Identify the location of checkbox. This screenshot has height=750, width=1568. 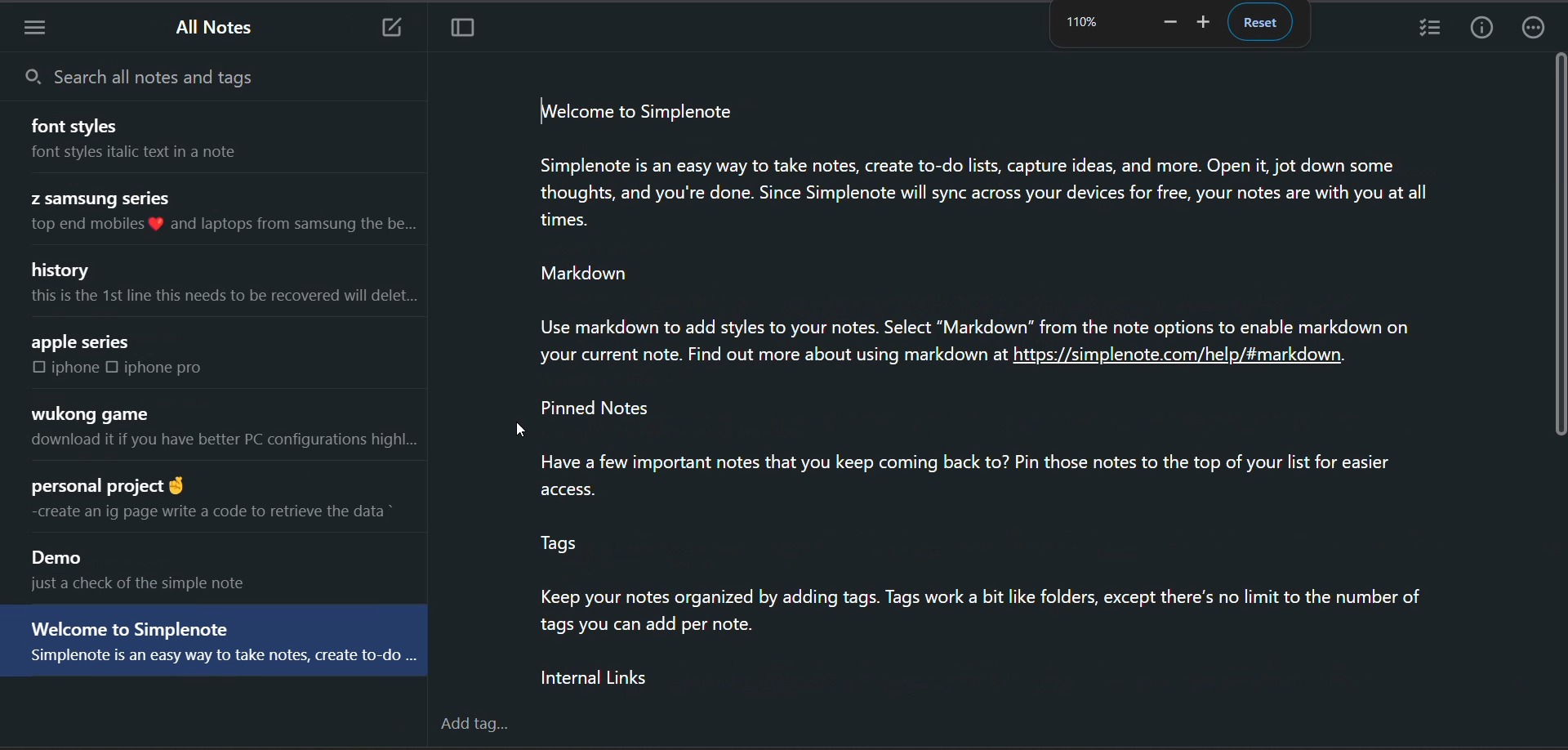
(114, 369).